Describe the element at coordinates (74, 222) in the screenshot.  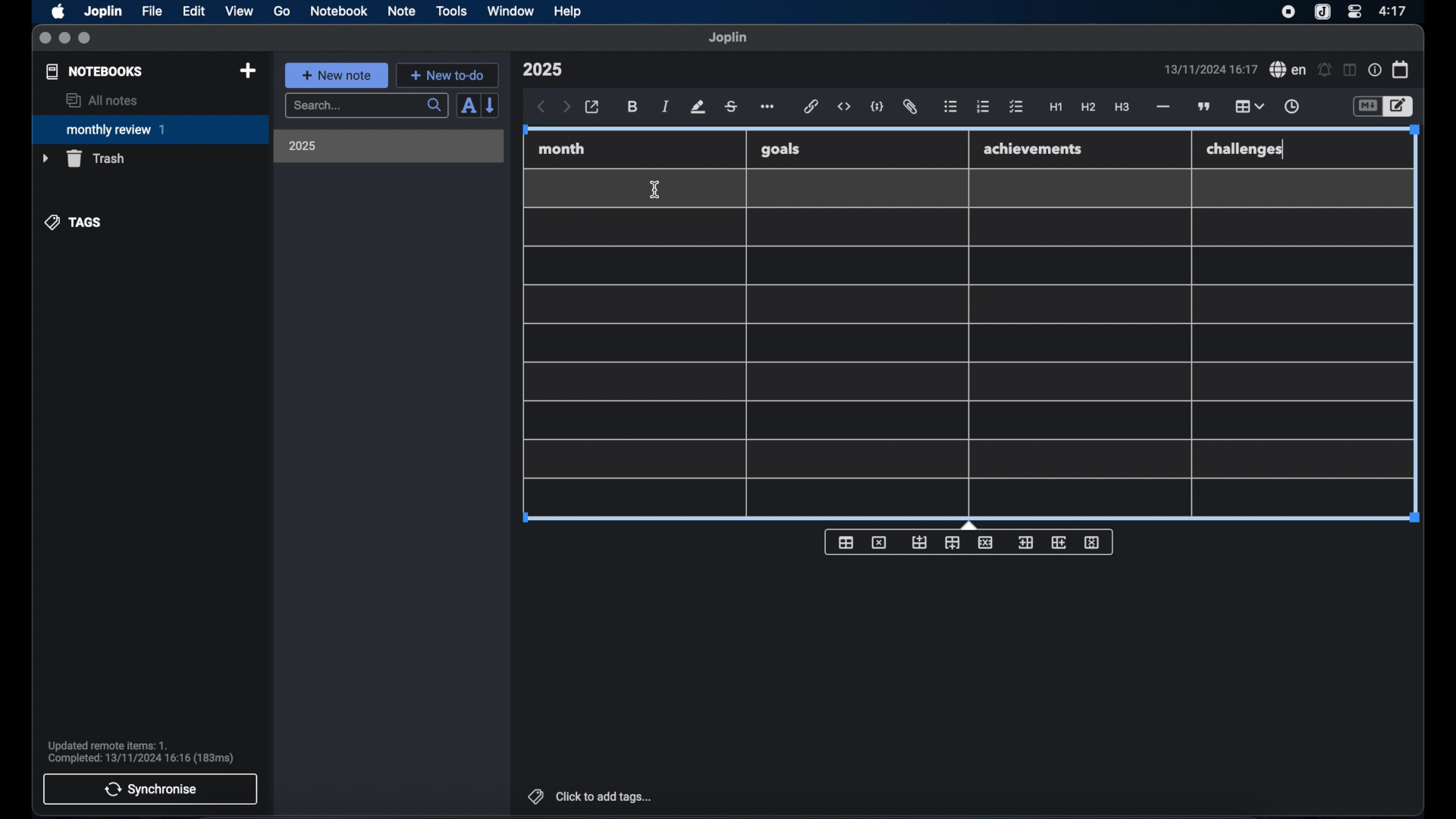
I see `tags` at that location.